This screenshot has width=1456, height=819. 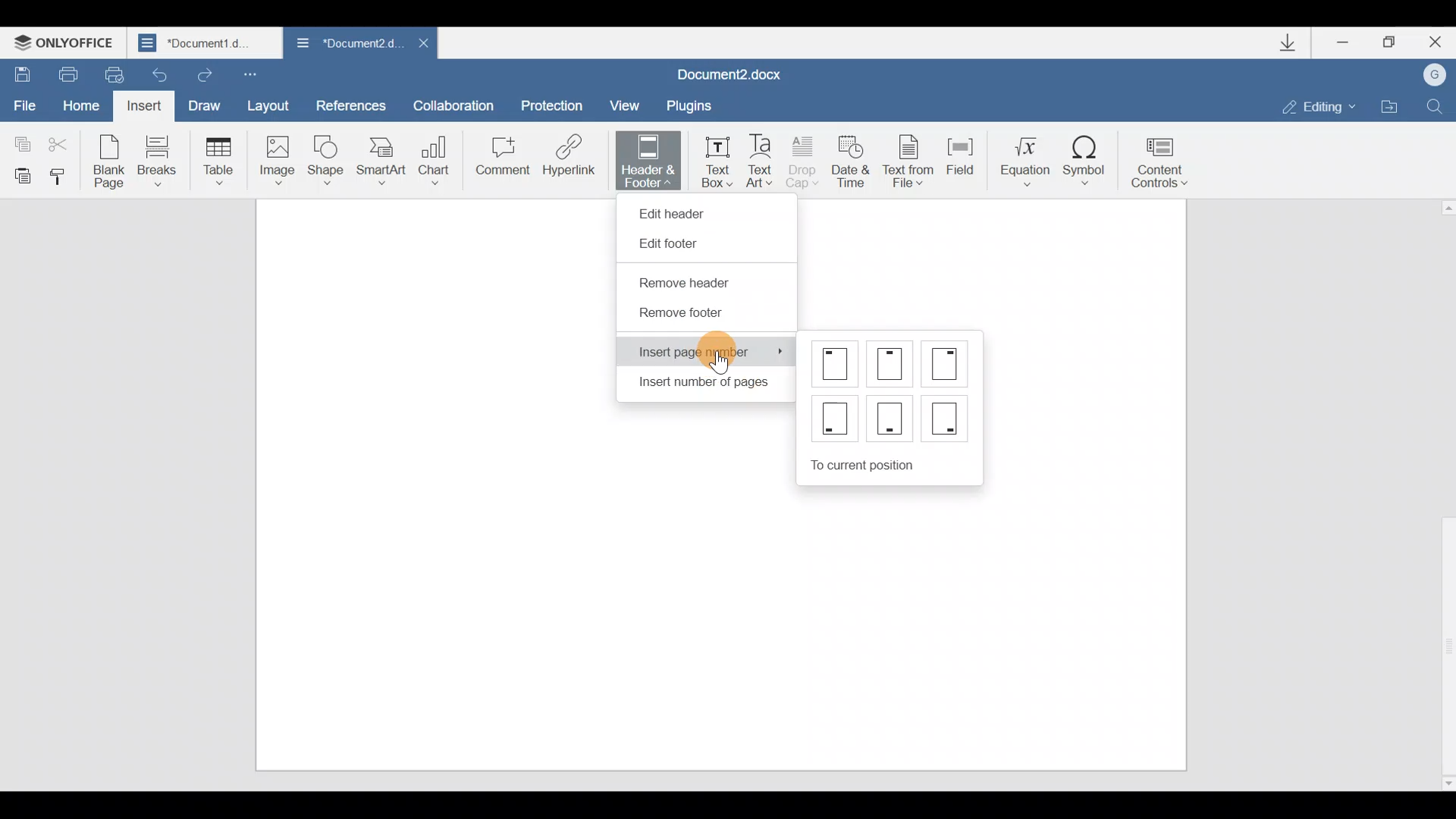 I want to click on Protection, so click(x=552, y=99).